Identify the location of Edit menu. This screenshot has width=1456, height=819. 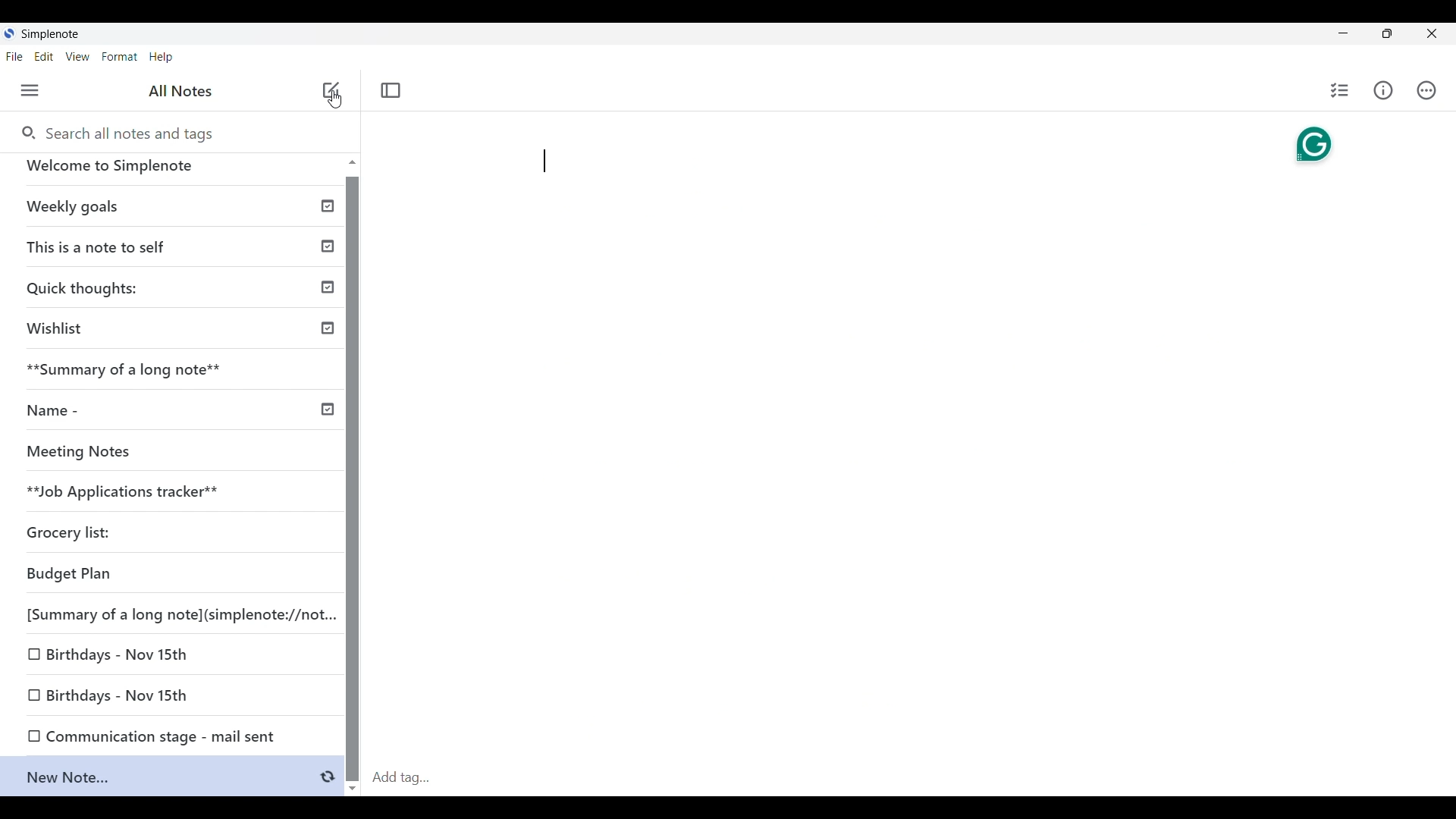
(44, 56).